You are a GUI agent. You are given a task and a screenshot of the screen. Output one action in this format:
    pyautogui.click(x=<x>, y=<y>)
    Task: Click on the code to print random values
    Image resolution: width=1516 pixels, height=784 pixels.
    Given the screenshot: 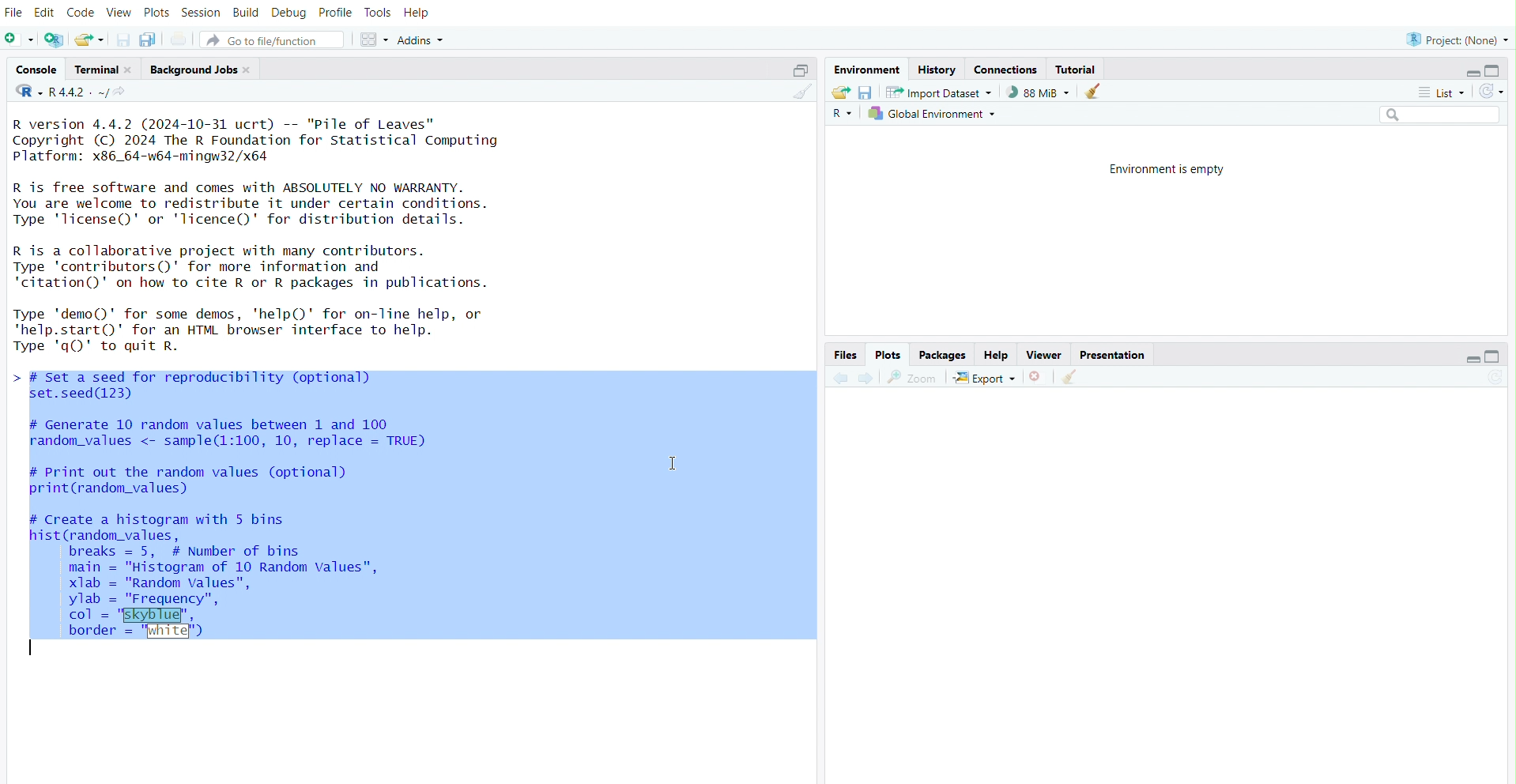 What is the action you would take?
    pyautogui.click(x=221, y=480)
    